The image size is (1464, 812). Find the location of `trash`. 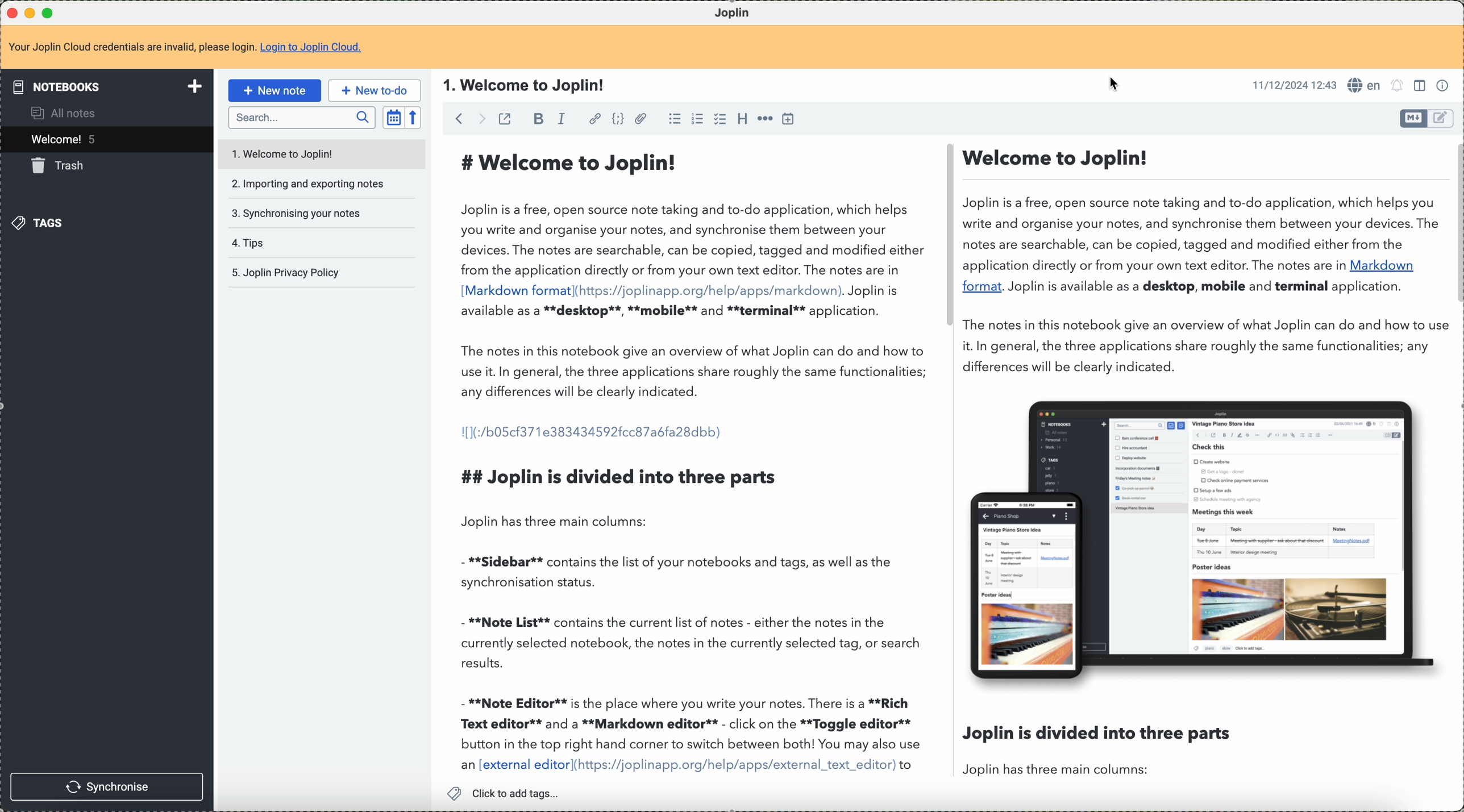

trash is located at coordinates (64, 168).